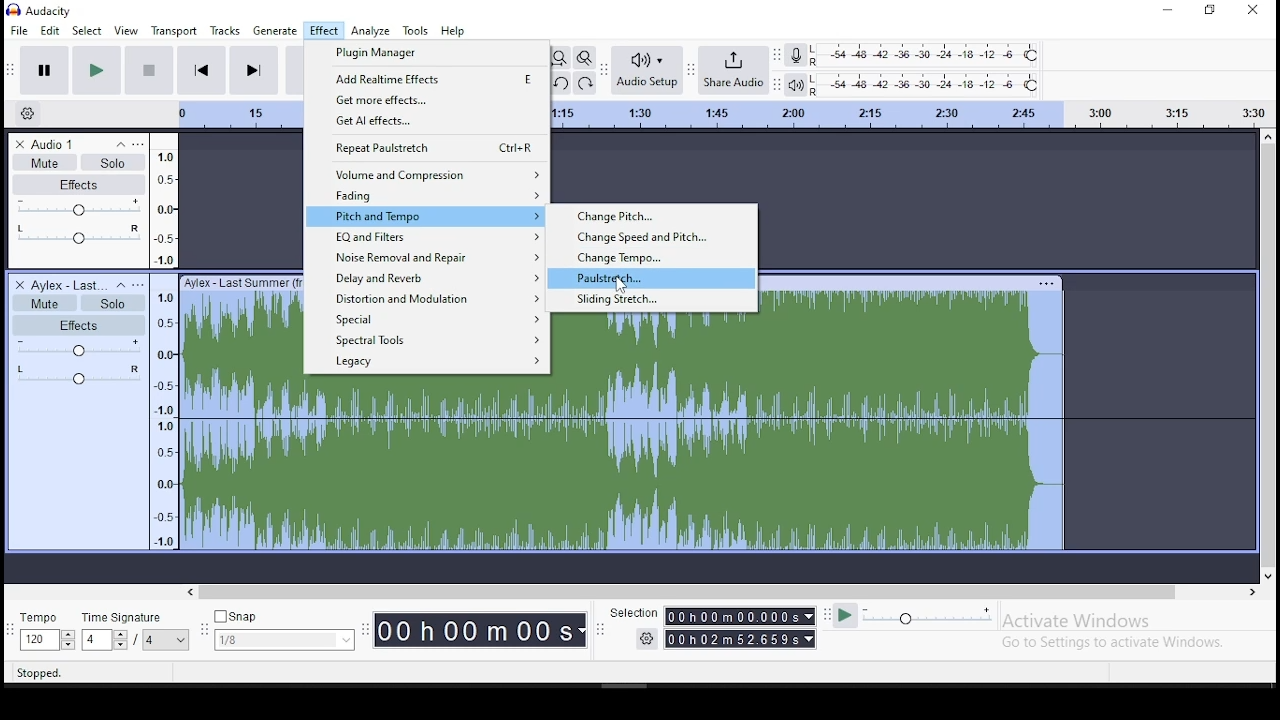 The width and height of the screenshot is (1280, 720). Describe the element at coordinates (45, 674) in the screenshot. I see `tool tips` at that location.